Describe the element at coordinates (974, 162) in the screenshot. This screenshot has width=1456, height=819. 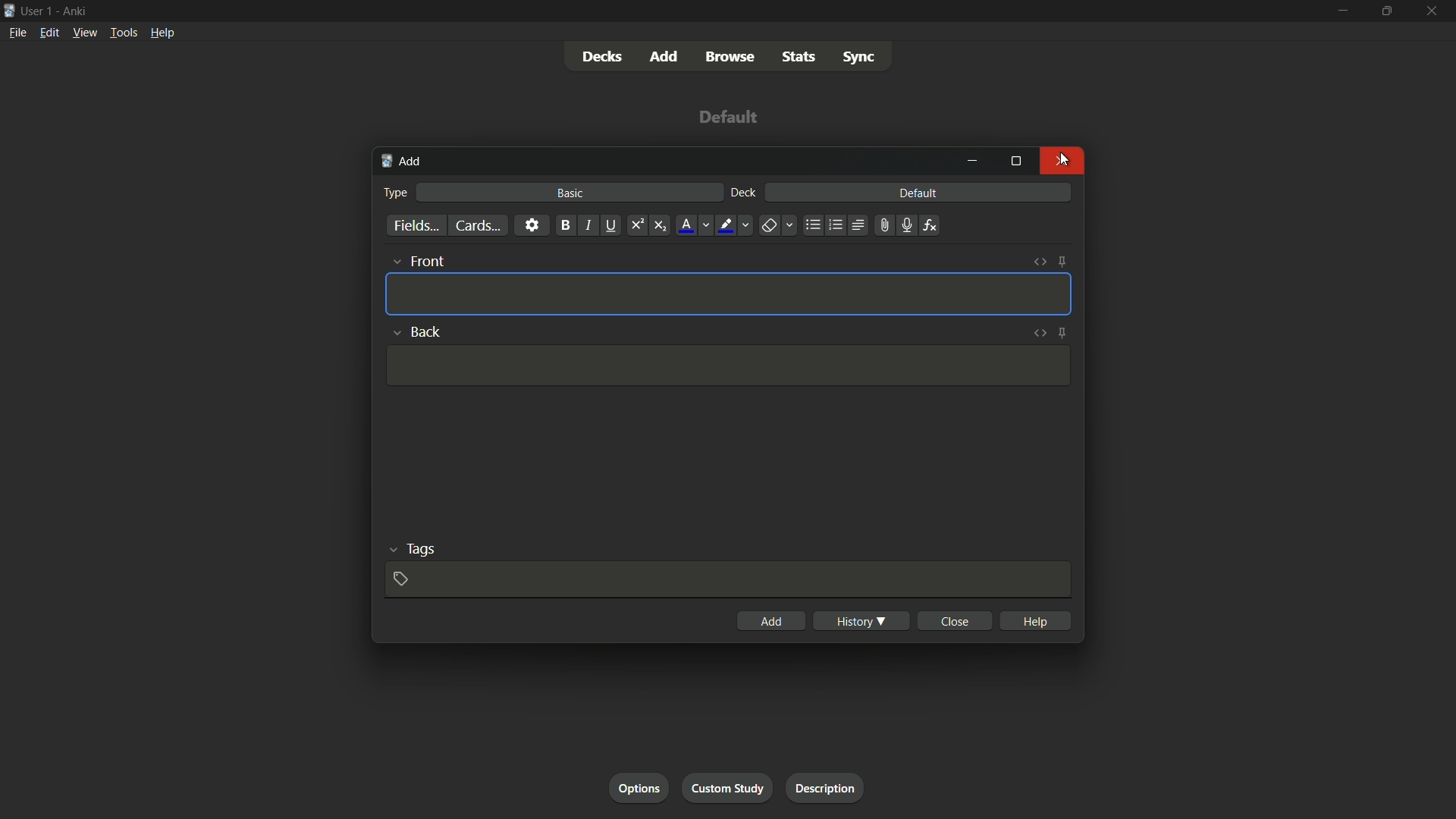
I see `minimize` at that location.